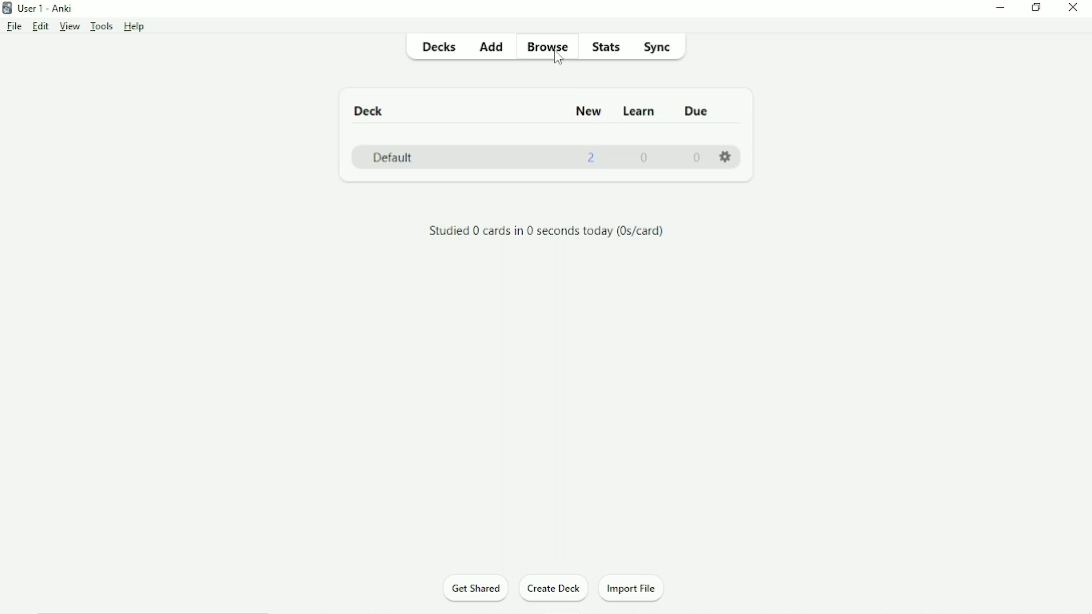 The image size is (1092, 614). What do you see at coordinates (645, 157) in the screenshot?
I see `0` at bounding box center [645, 157].